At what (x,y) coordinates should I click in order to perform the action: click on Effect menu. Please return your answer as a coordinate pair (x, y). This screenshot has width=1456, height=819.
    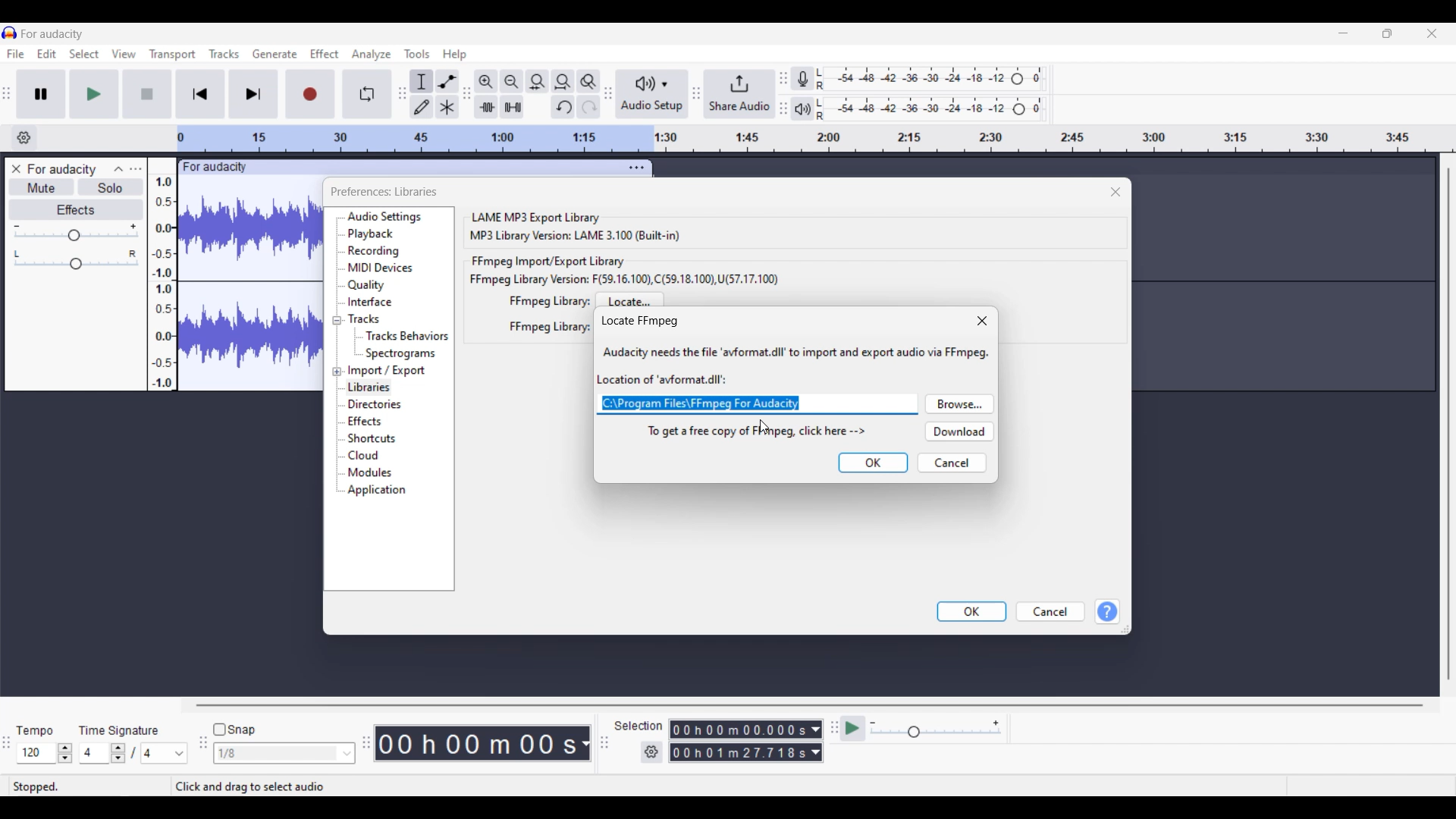
    Looking at the image, I should click on (325, 53).